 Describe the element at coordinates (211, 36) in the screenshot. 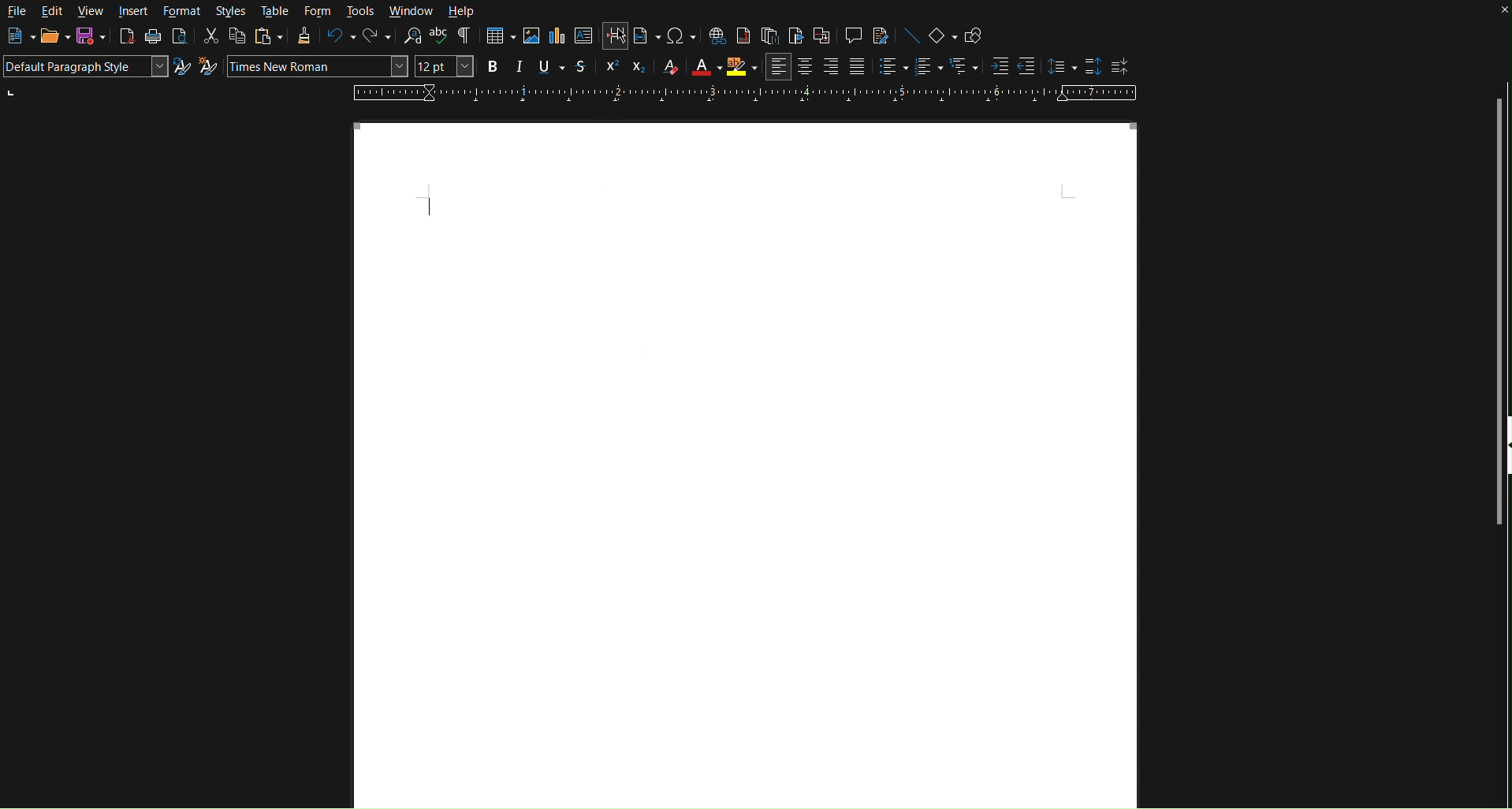

I see `Cut` at that location.